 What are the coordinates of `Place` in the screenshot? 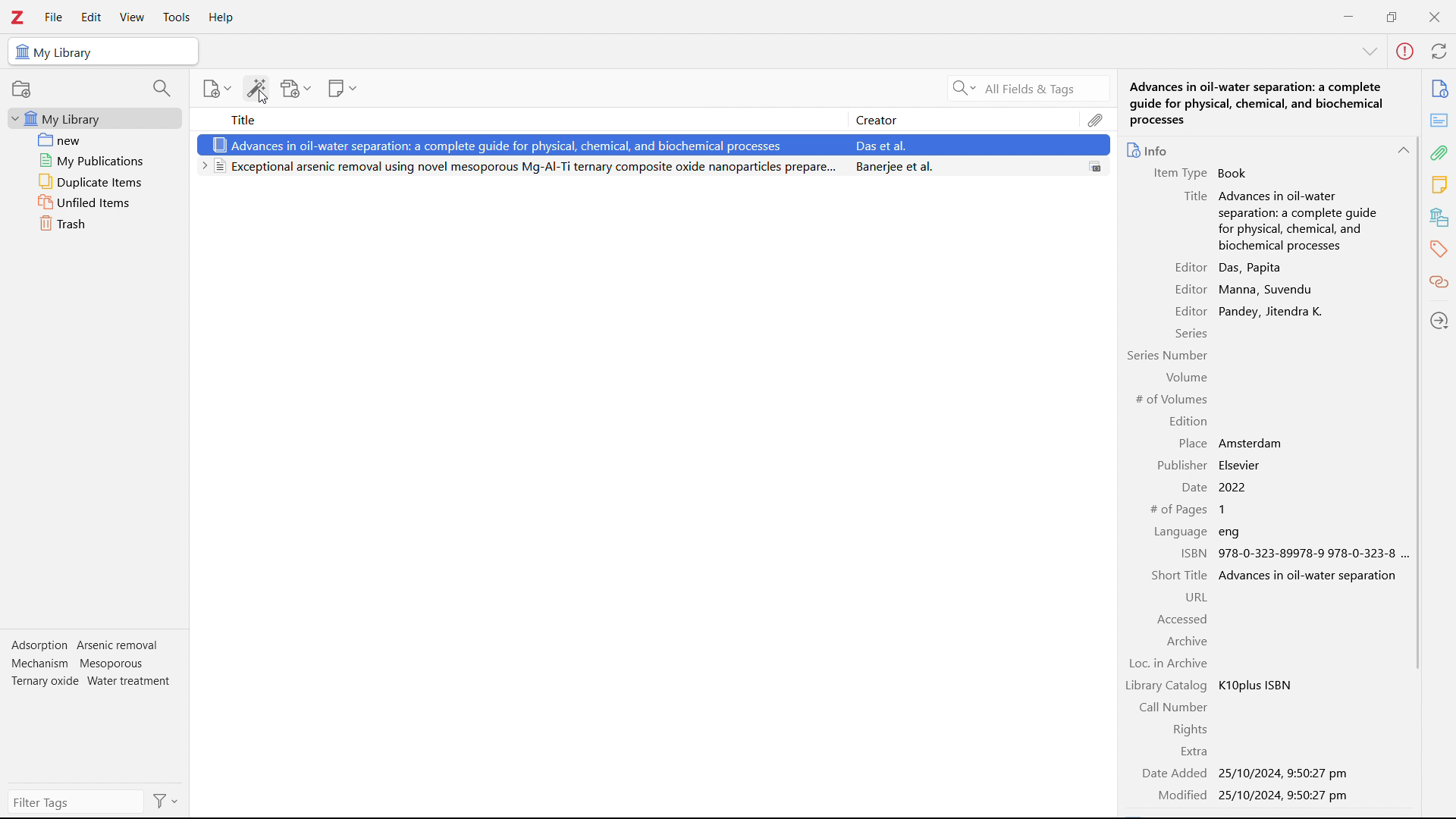 It's located at (1192, 444).